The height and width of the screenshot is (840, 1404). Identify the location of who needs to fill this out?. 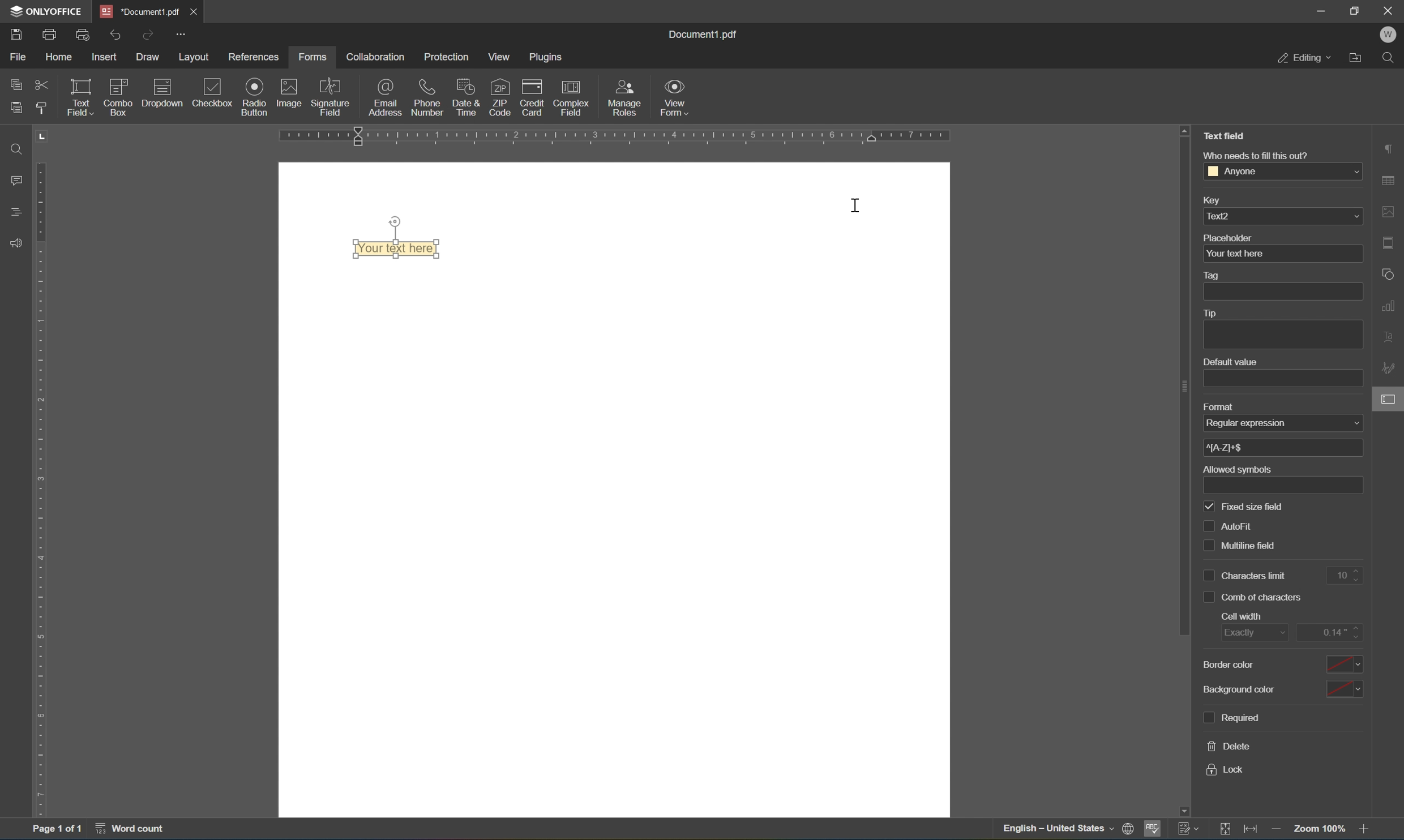
(1258, 155).